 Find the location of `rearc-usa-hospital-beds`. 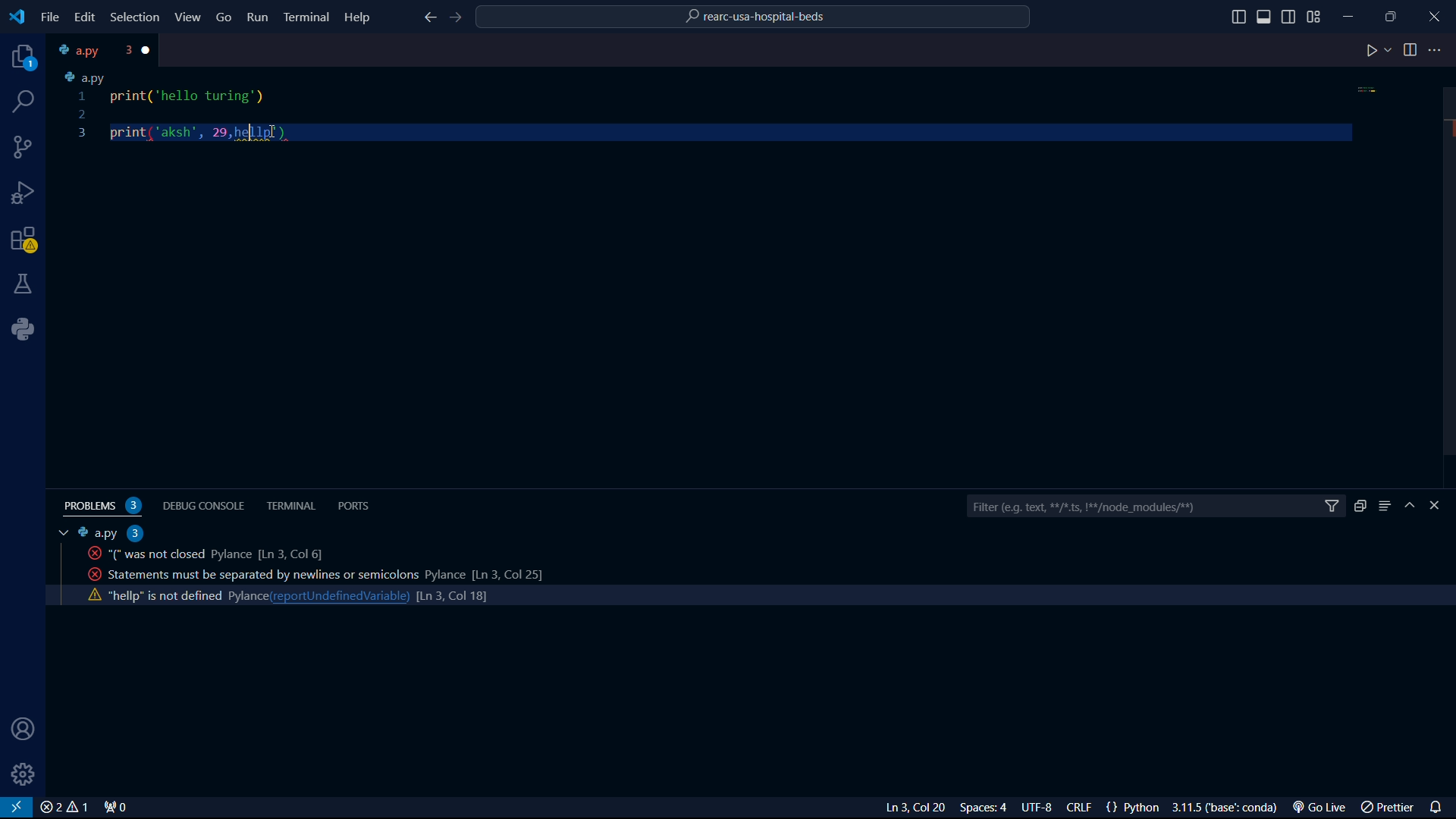

rearc-usa-hospital-beds is located at coordinates (755, 19).